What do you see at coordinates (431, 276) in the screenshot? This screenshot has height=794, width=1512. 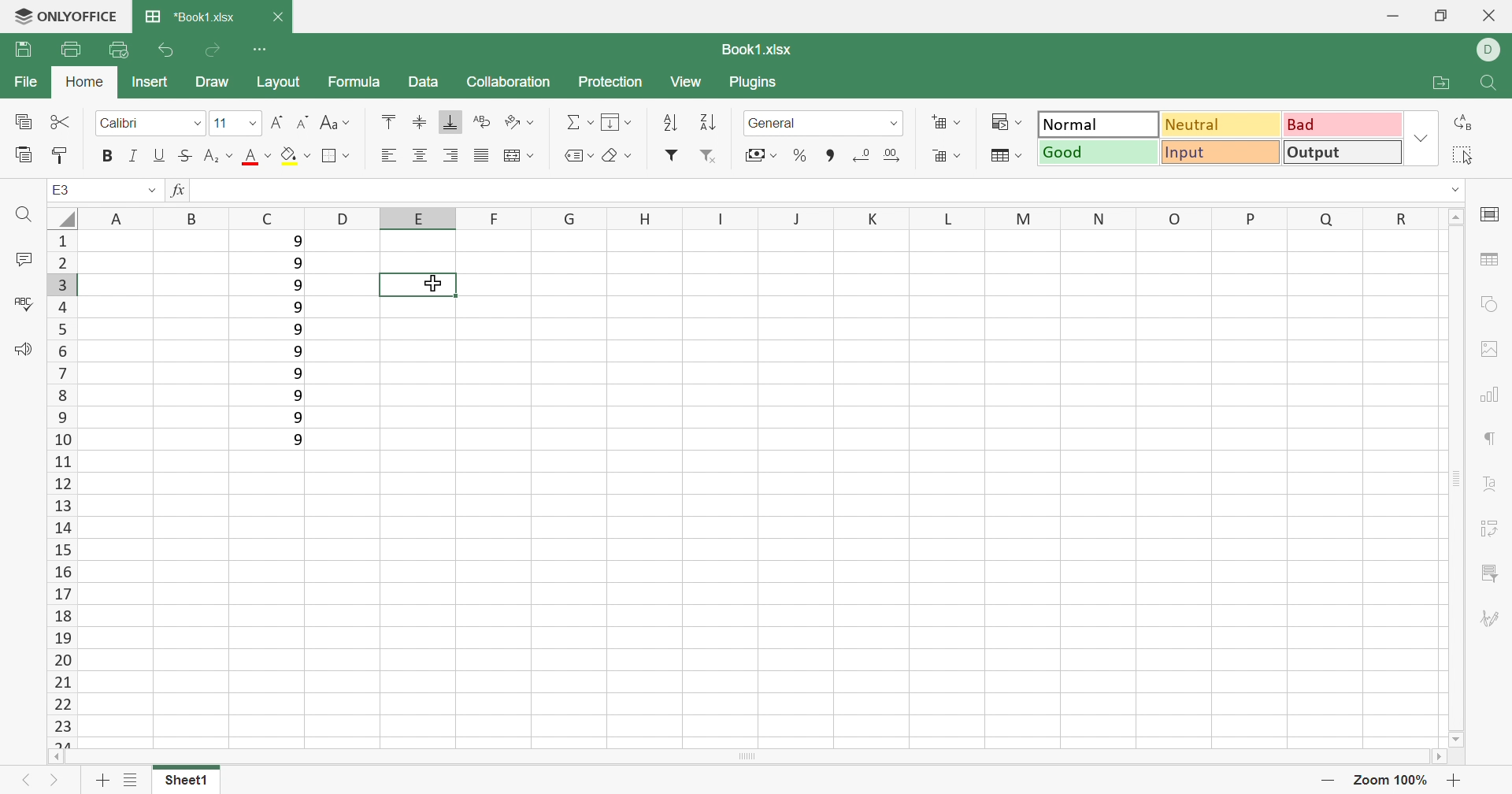 I see `cursor ` at bounding box center [431, 276].